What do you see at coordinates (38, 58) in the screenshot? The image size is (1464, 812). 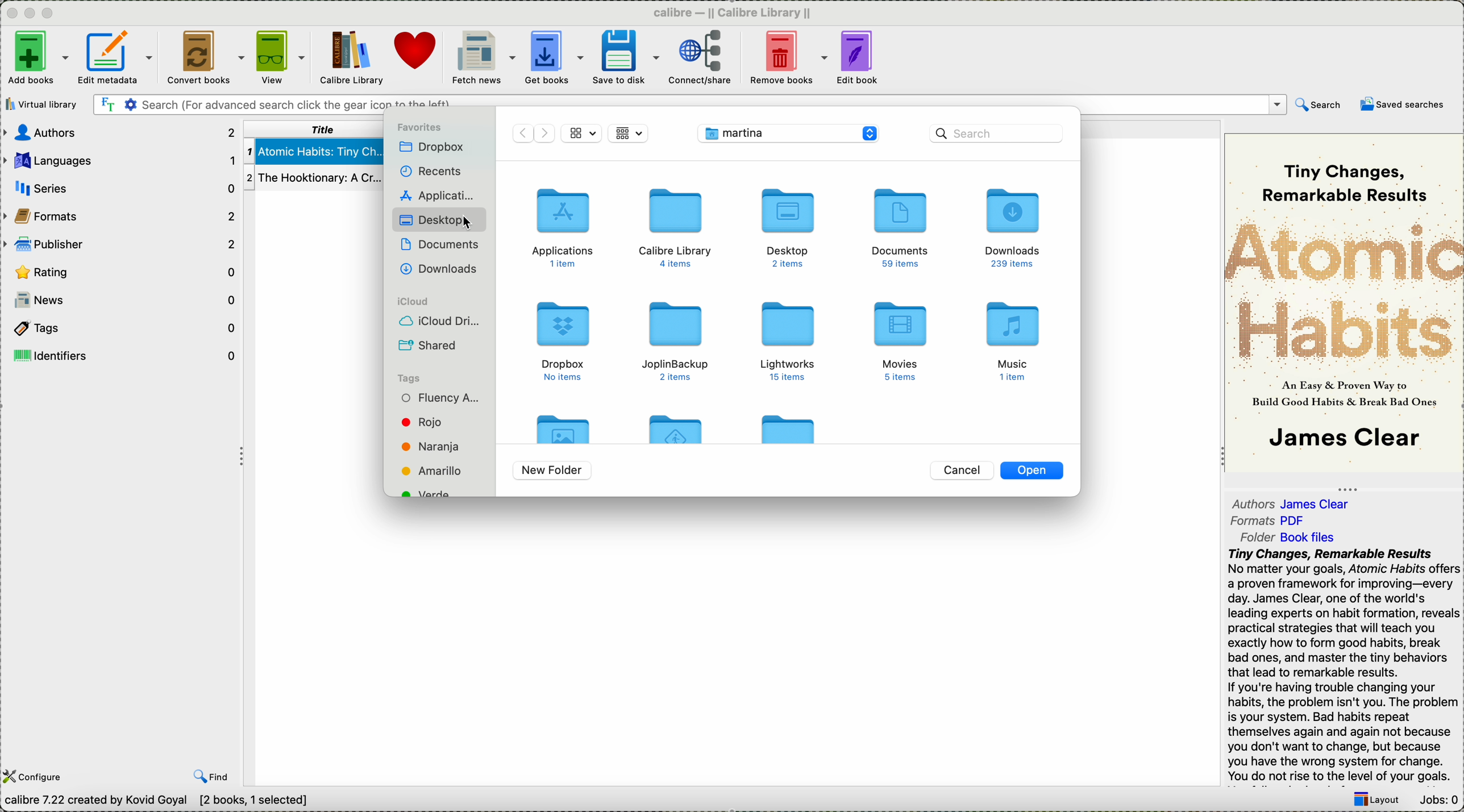 I see `add books` at bounding box center [38, 58].